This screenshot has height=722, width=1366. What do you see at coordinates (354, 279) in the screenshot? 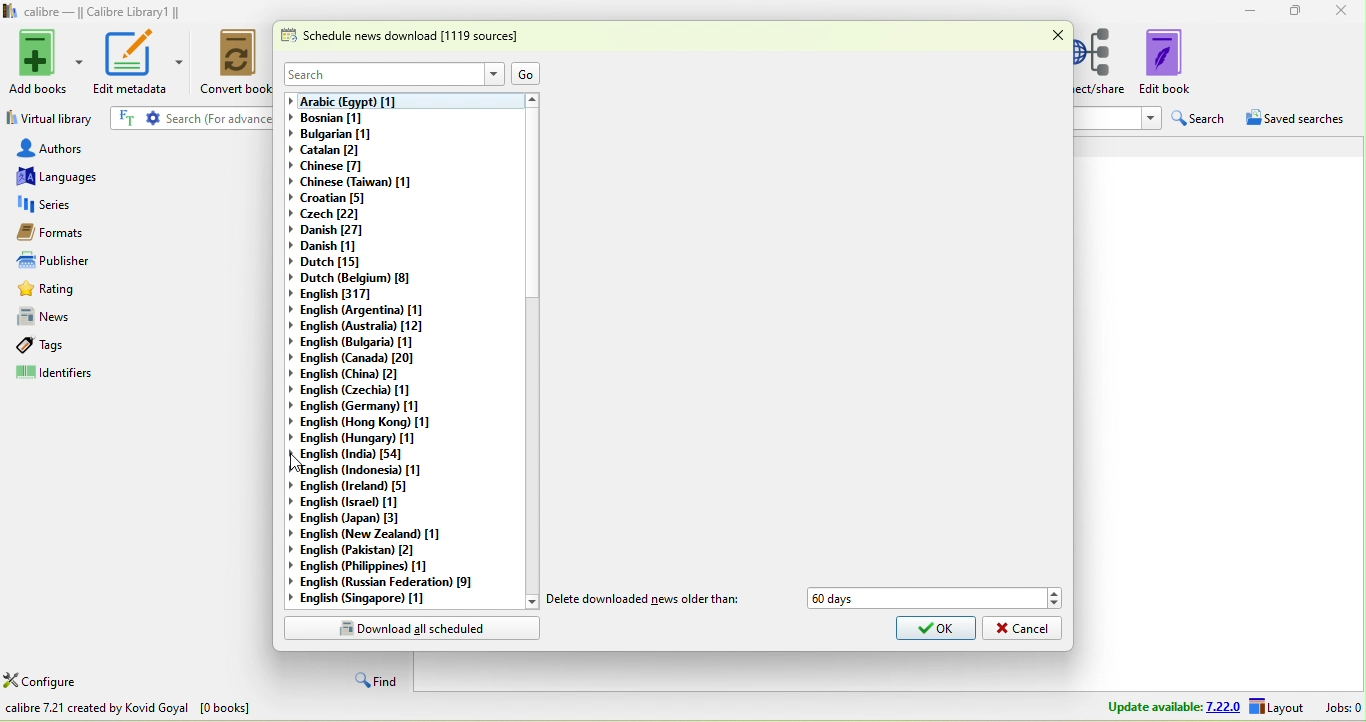
I see `dutch(belgium)[8]` at bounding box center [354, 279].